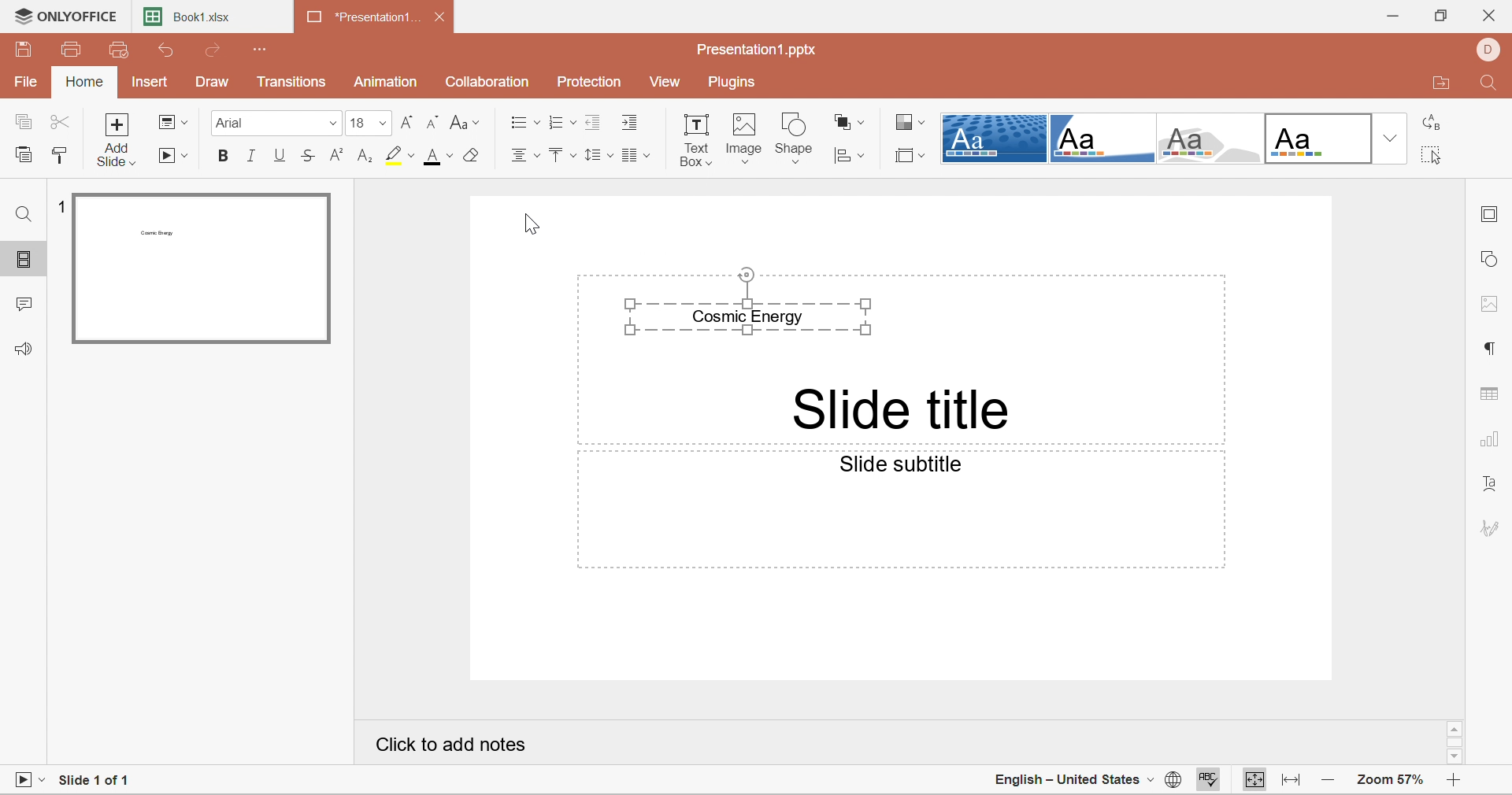 This screenshot has width=1512, height=795. What do you see at coordinates (994, 138) in the screenshot?
I see `Dotted` at bounding box center [994, 138].